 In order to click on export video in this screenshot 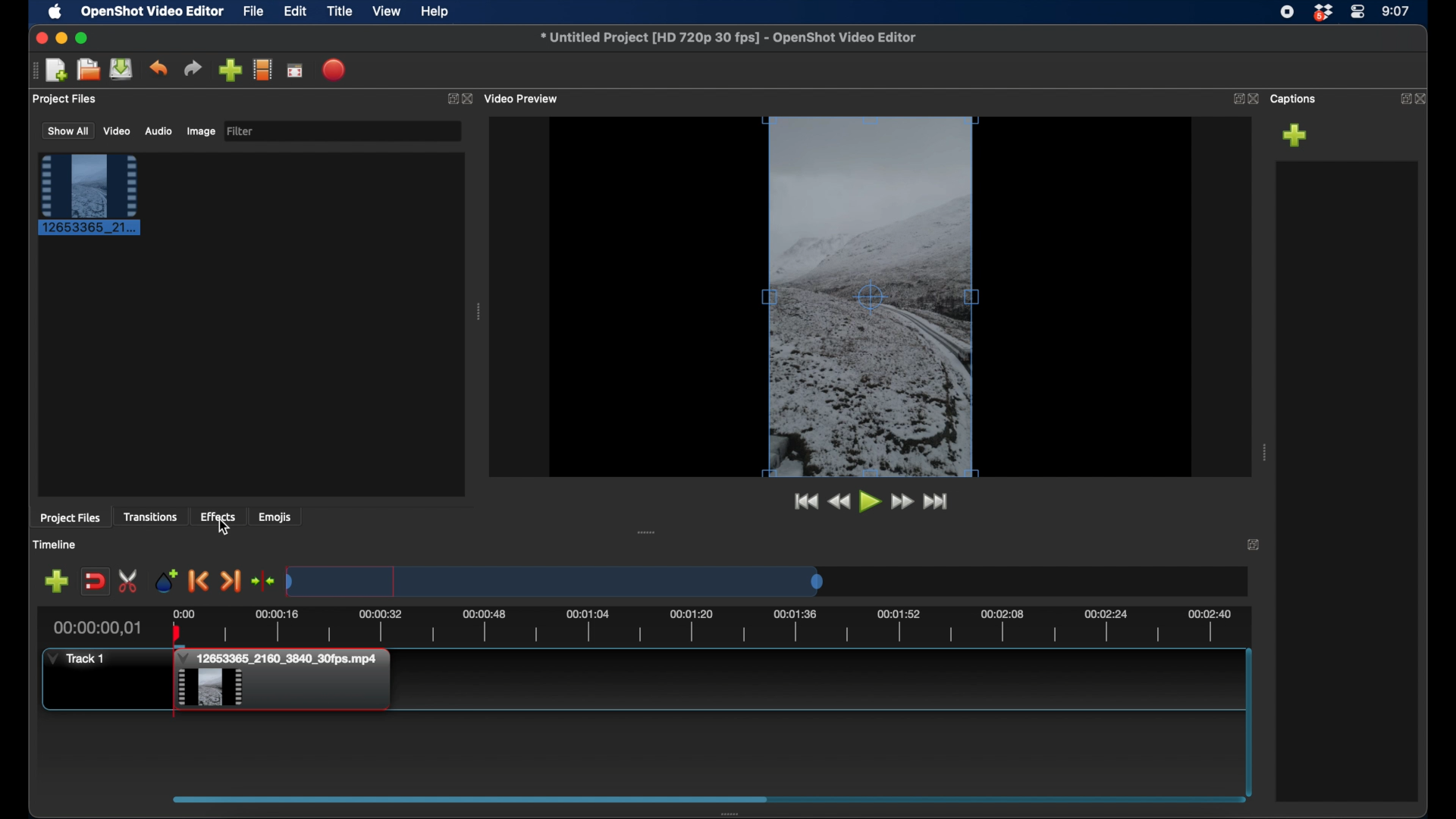, I will do `click(332, 70)`.